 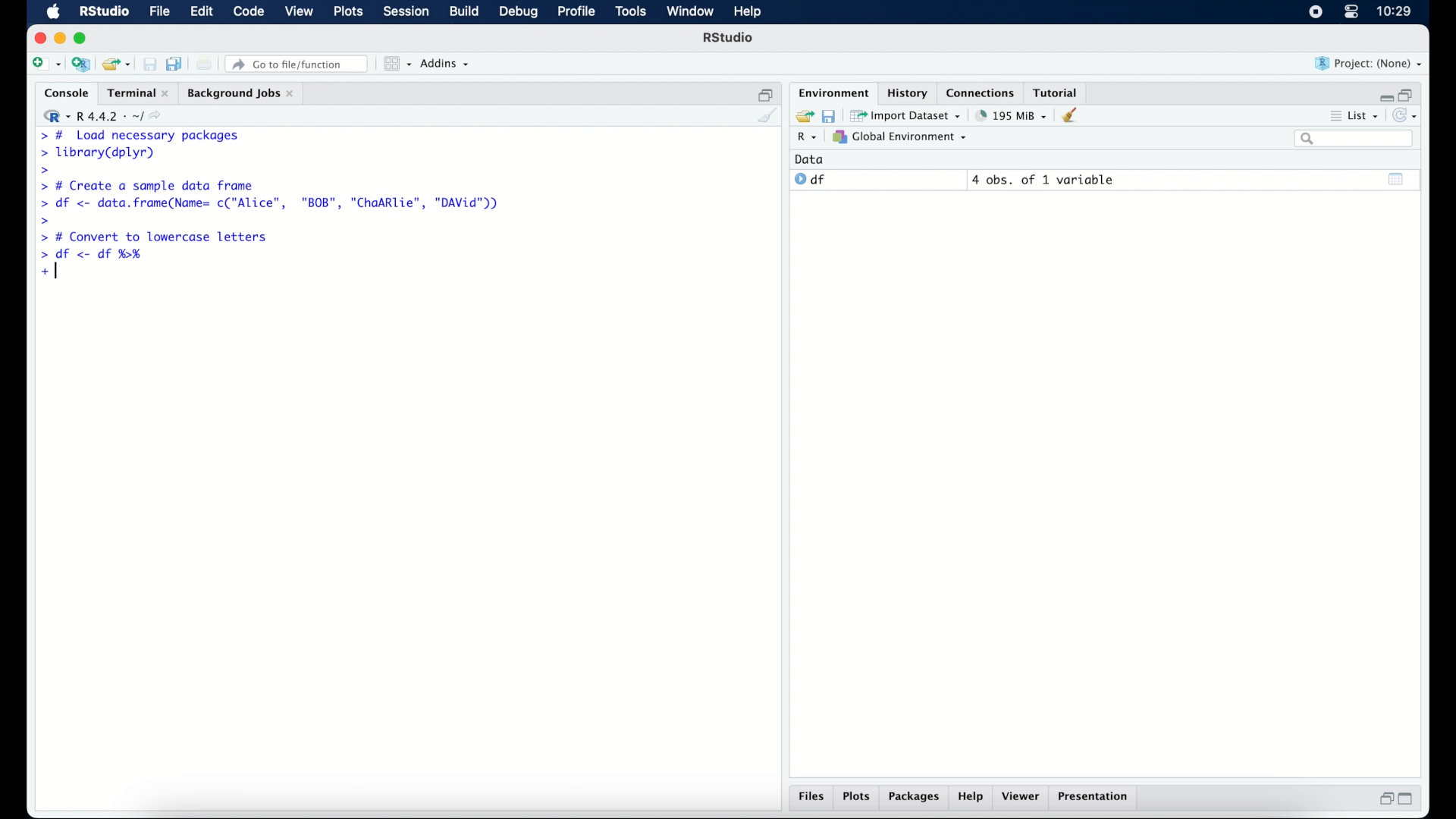 What do you see at coordinates (63, 93) in the screenshot?
I see `console` at bounding box center [63, 93].